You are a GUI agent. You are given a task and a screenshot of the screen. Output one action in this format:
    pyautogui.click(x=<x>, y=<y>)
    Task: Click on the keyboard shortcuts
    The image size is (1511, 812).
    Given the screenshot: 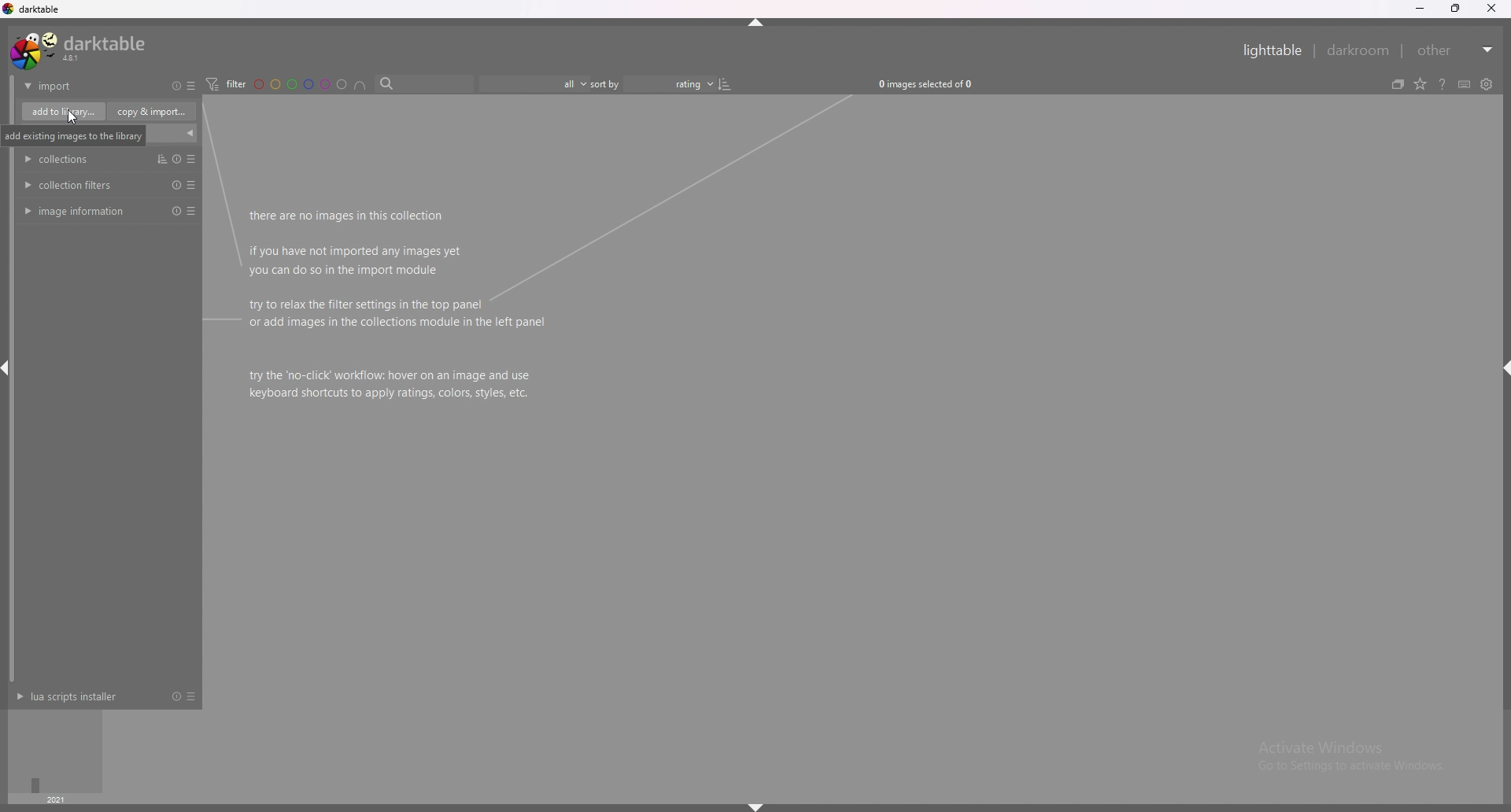 What is the action you would take?
    pyautogui.click(x=1465, y=85)
    